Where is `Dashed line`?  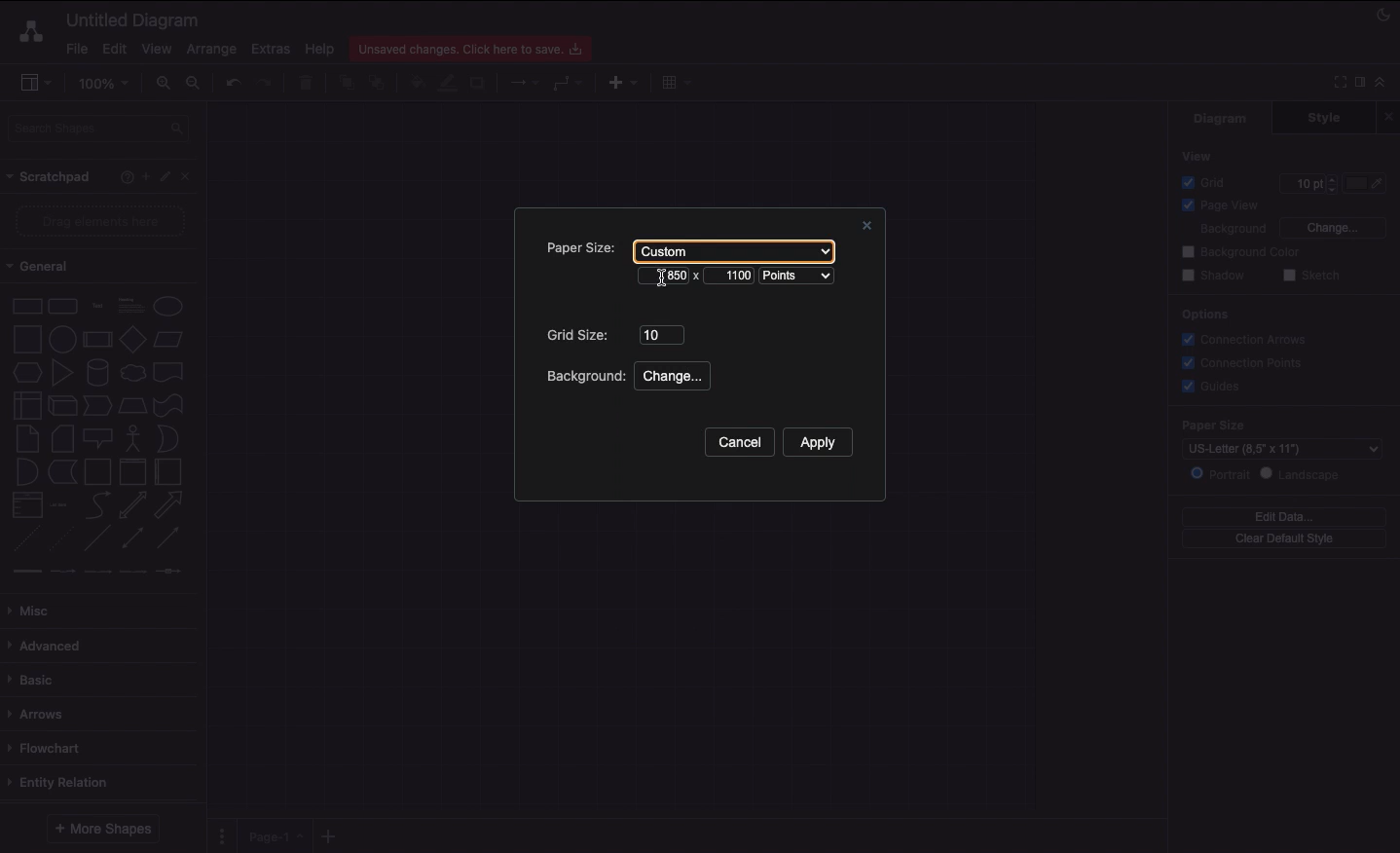
Dashed line is located at coordinates (23, 541).